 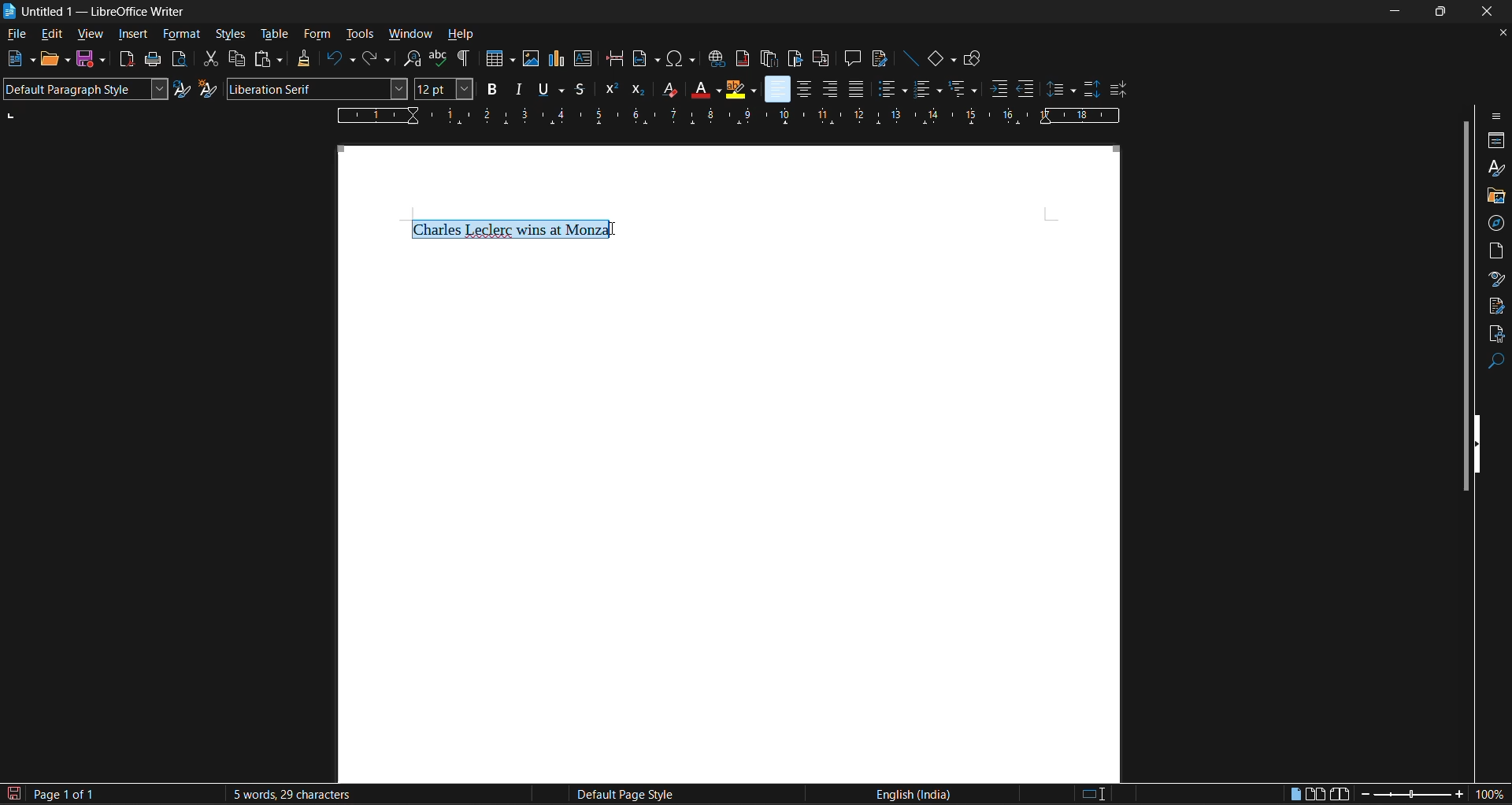 What do you see at coordinates (1027, 88) in the screenshot?
I see `decrease indent` at bounding box center [1027, 88].